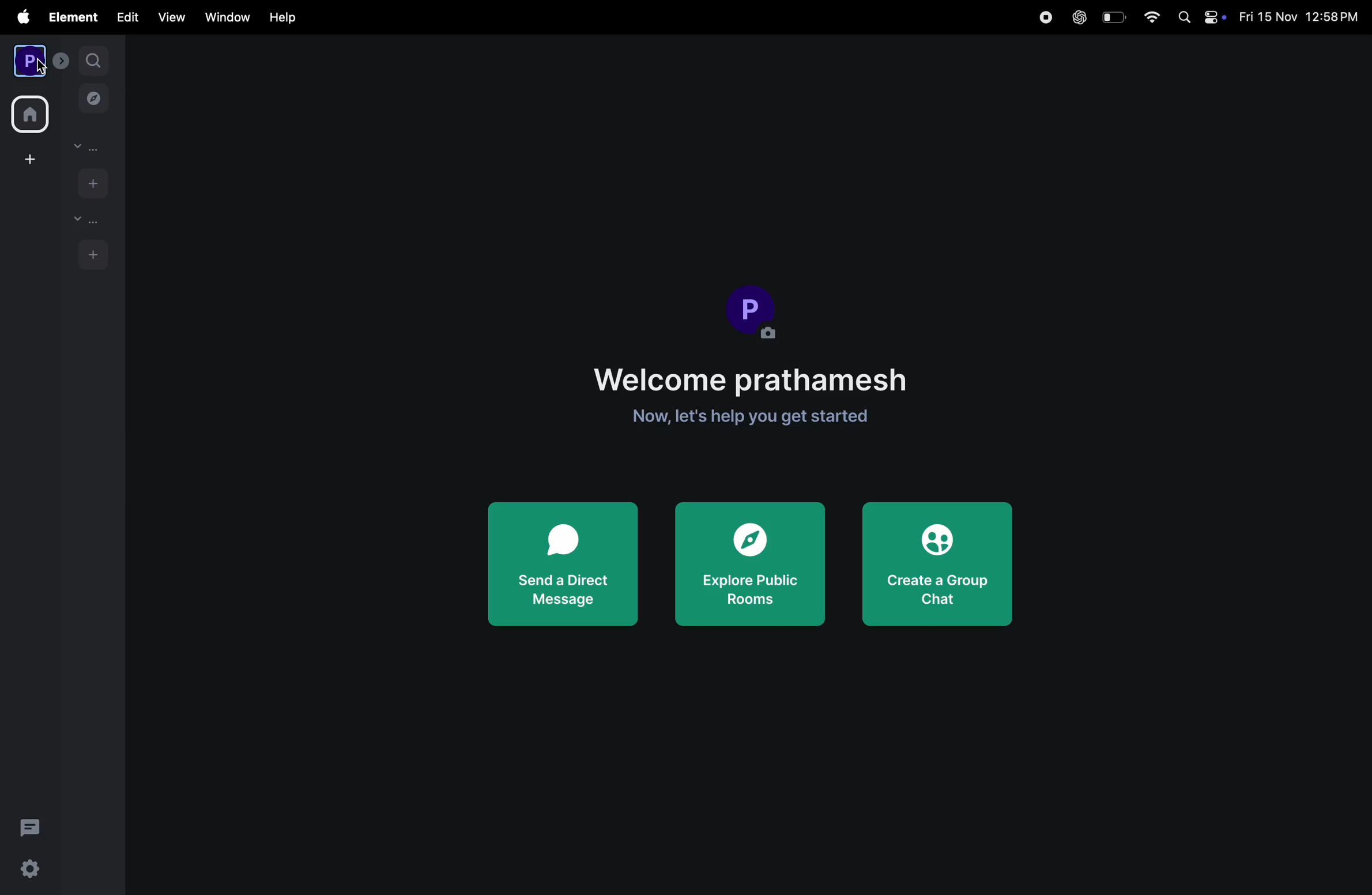 This screenshot has width=1372, height=895. I want to click on home, so click(28, 114).